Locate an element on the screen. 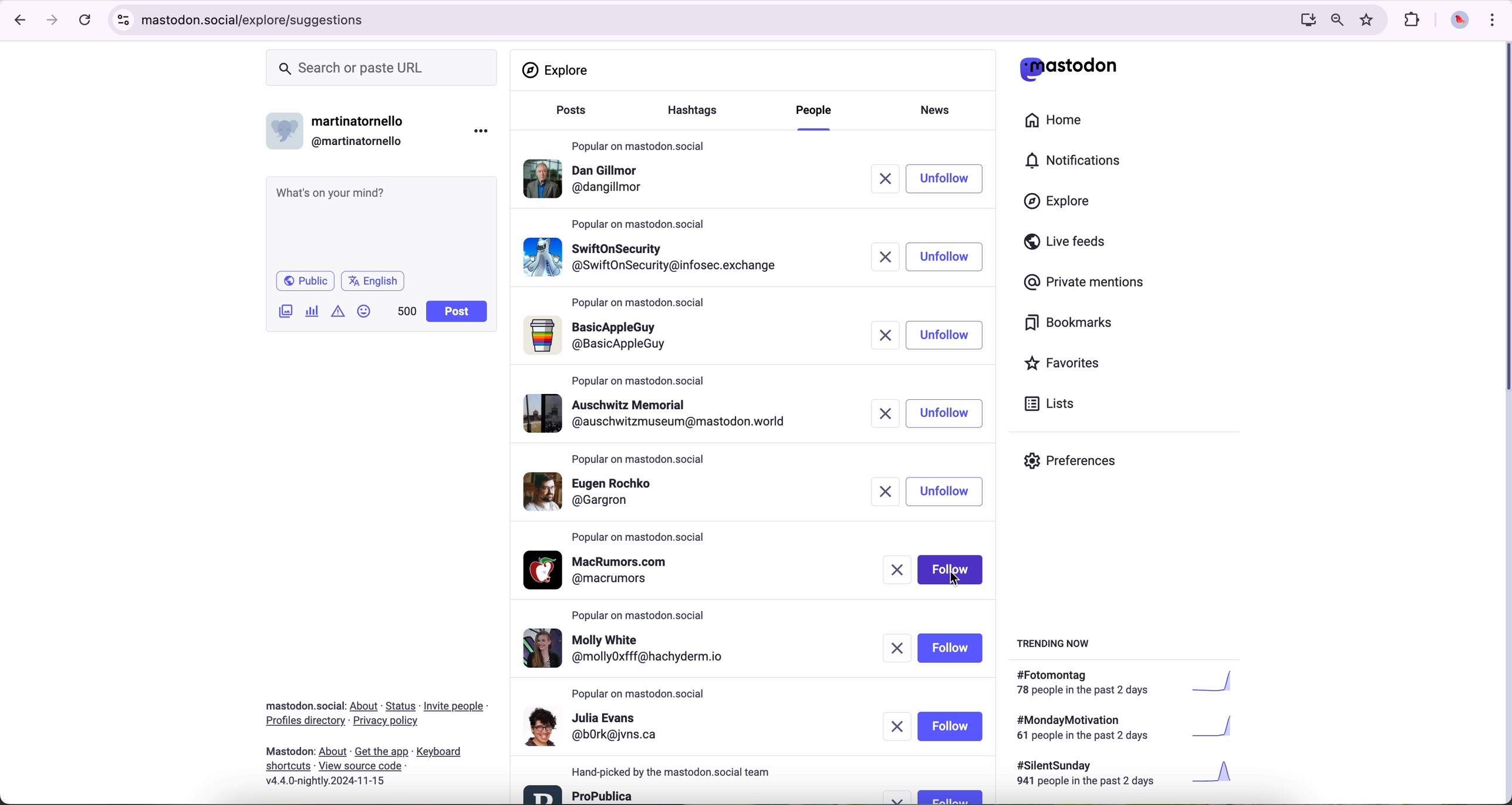  remove is located at coordinates (889, 336).